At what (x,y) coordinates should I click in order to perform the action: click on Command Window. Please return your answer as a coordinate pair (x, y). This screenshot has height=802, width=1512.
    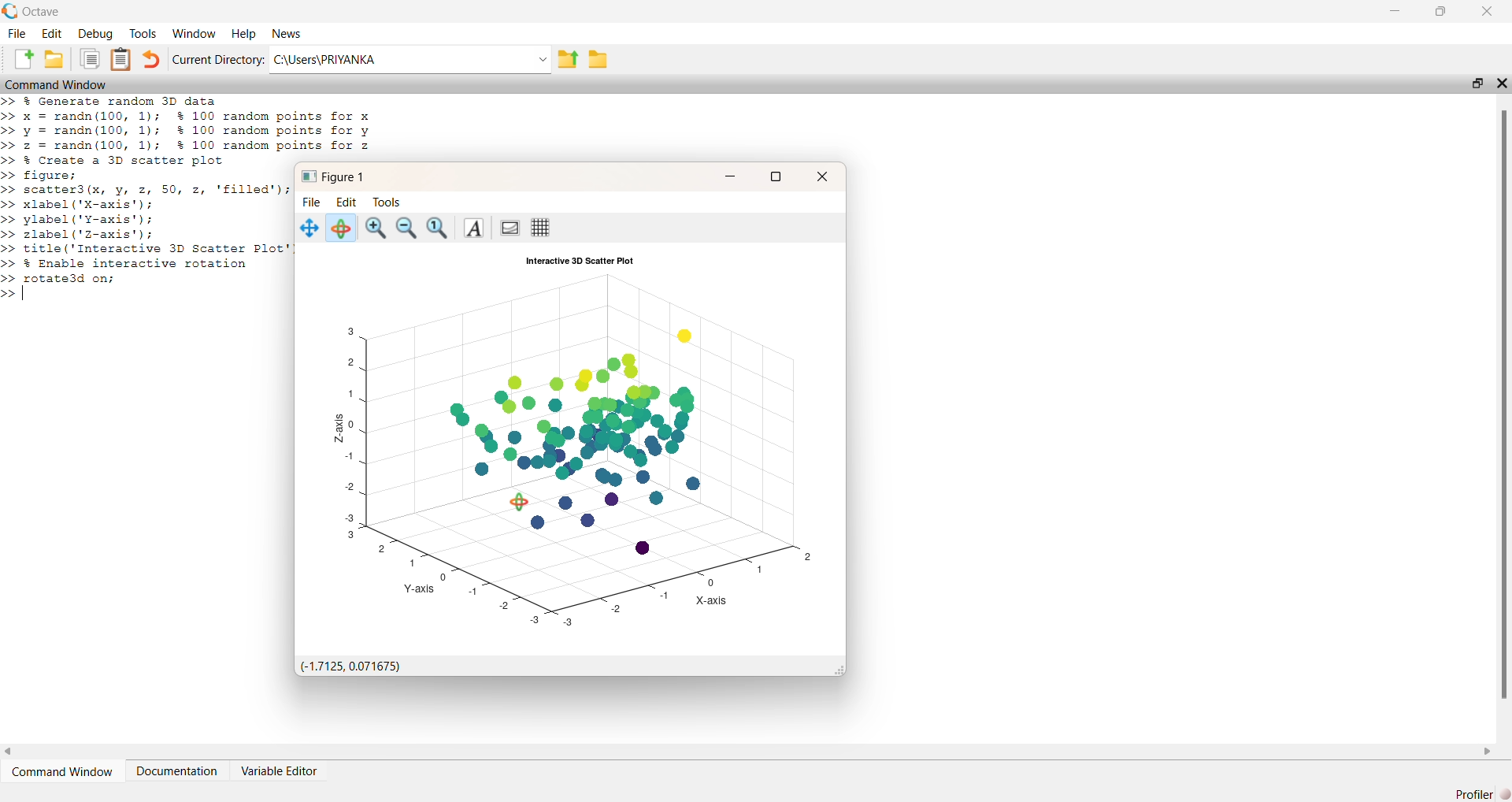
    Looking at the image, I should click on (61, 771).